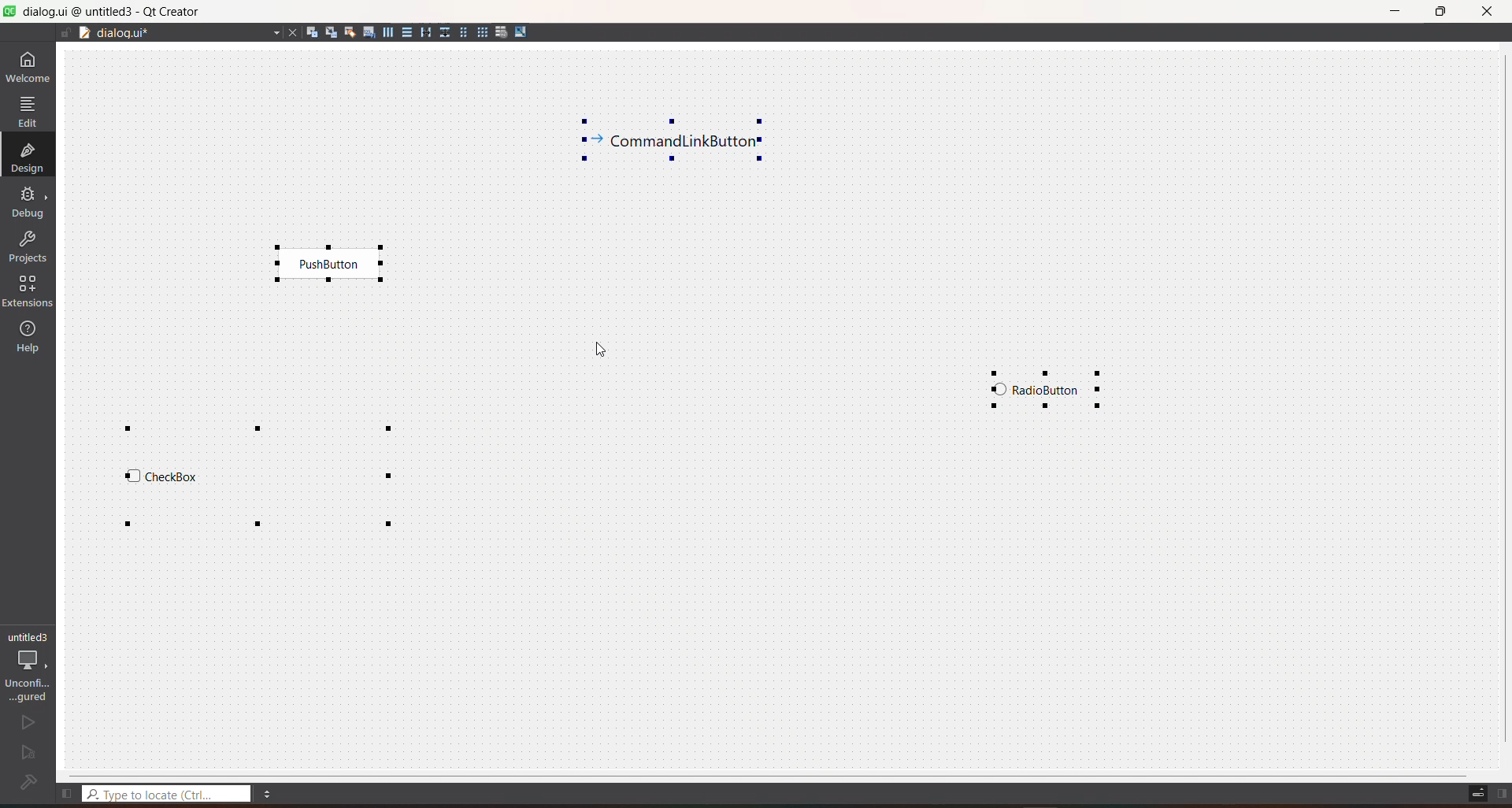 The image size is (1512, 808). What do you see at coordinates (29, 666) in the screenshot?
I see `project configuration` at bounding box center [29, 666].